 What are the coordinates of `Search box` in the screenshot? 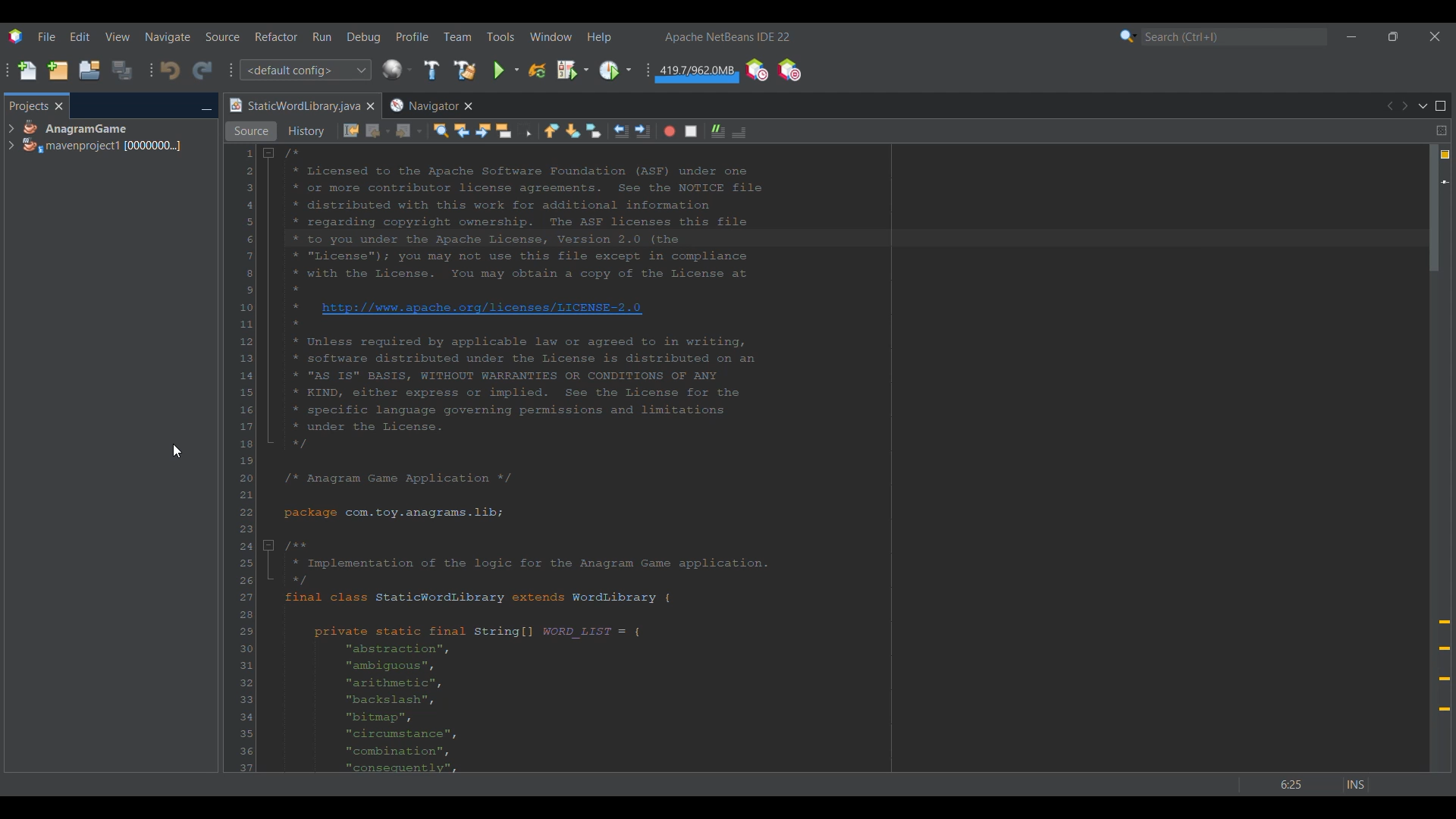 It's located at (1235, 36).